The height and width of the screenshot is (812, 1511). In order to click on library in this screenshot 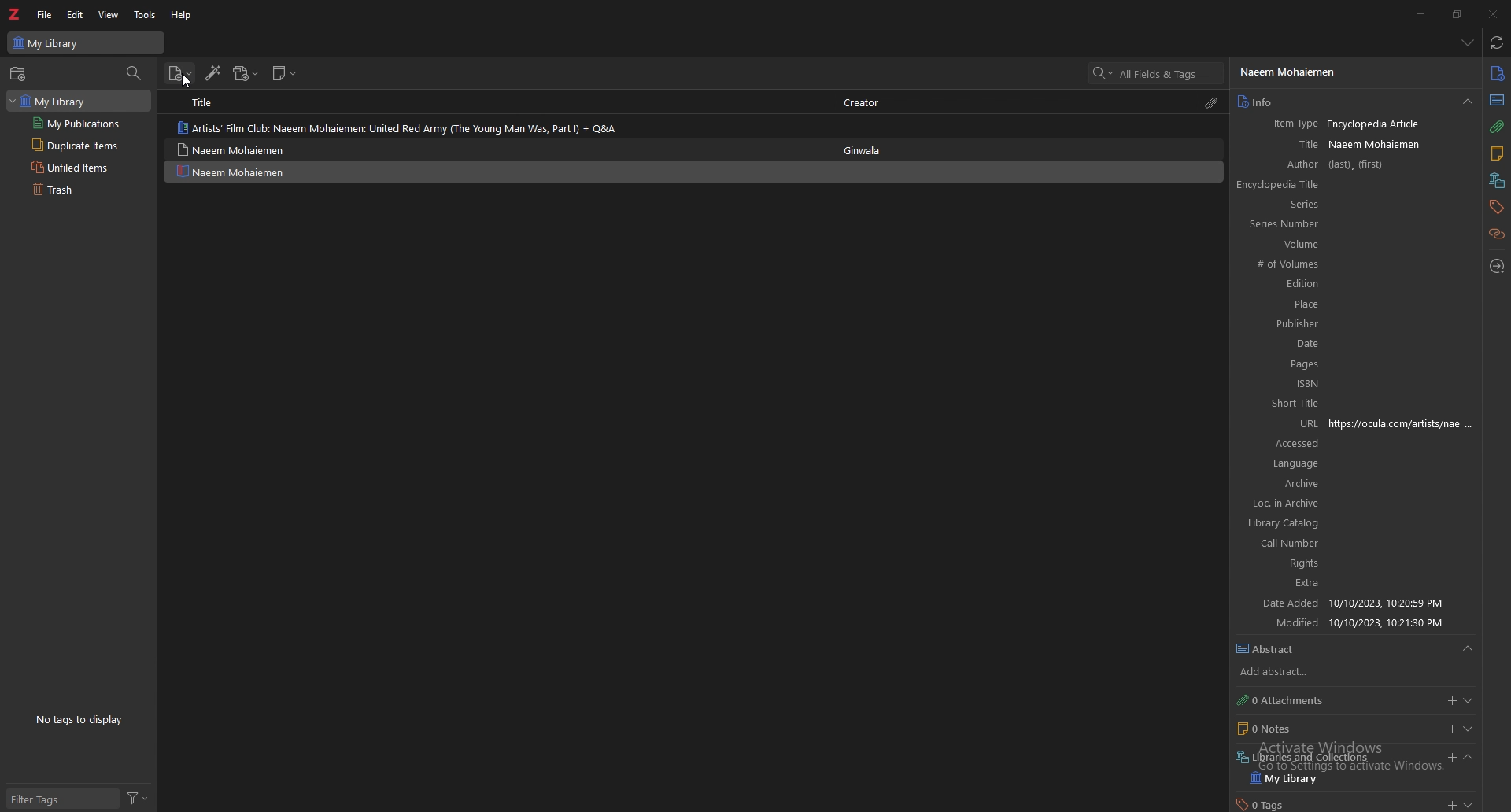, I will do `click(57, 100)`.